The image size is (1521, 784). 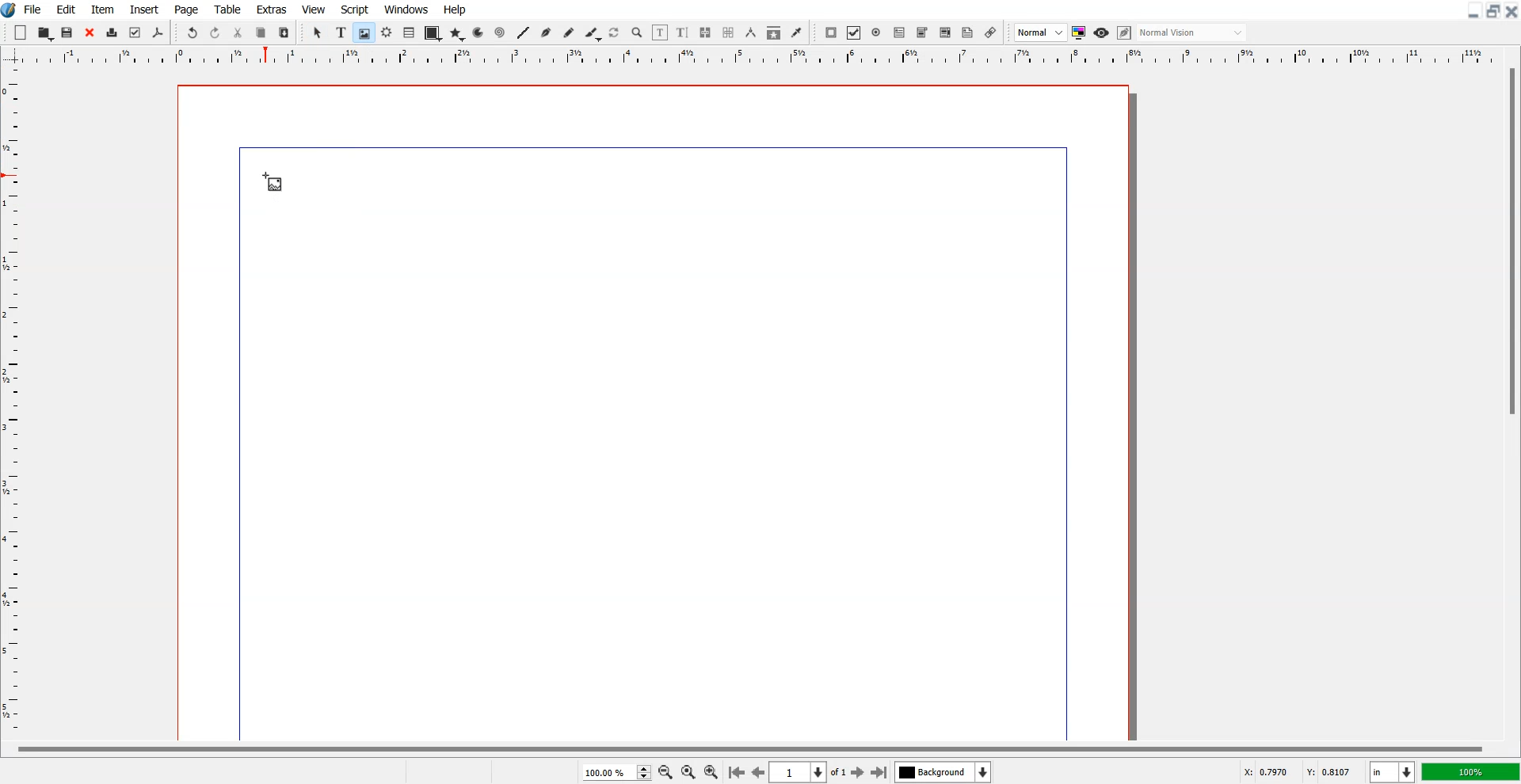 I want to click on Freehand Line, so click(x=569, y=32).